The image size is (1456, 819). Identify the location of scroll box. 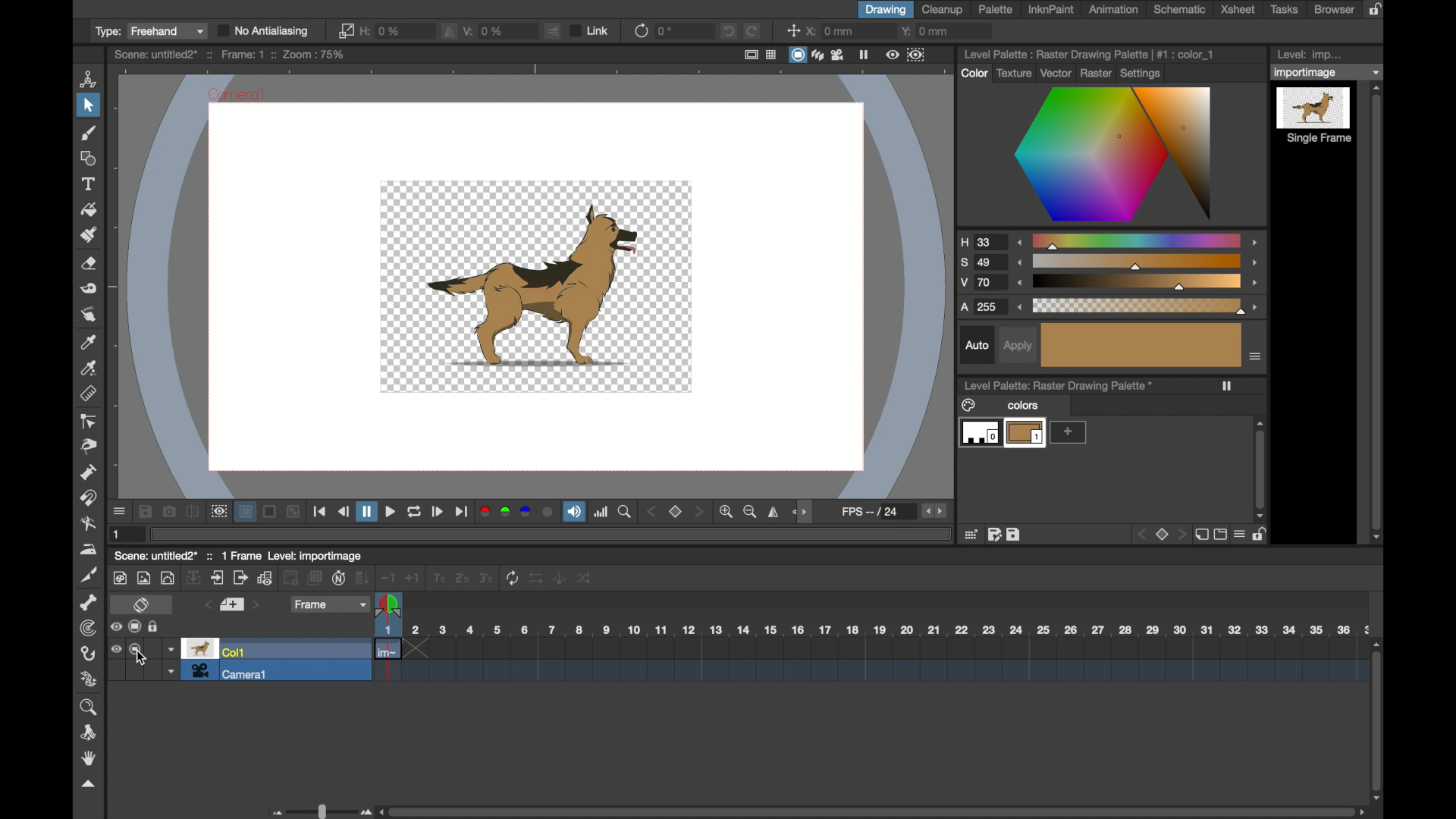
(1260, 469).